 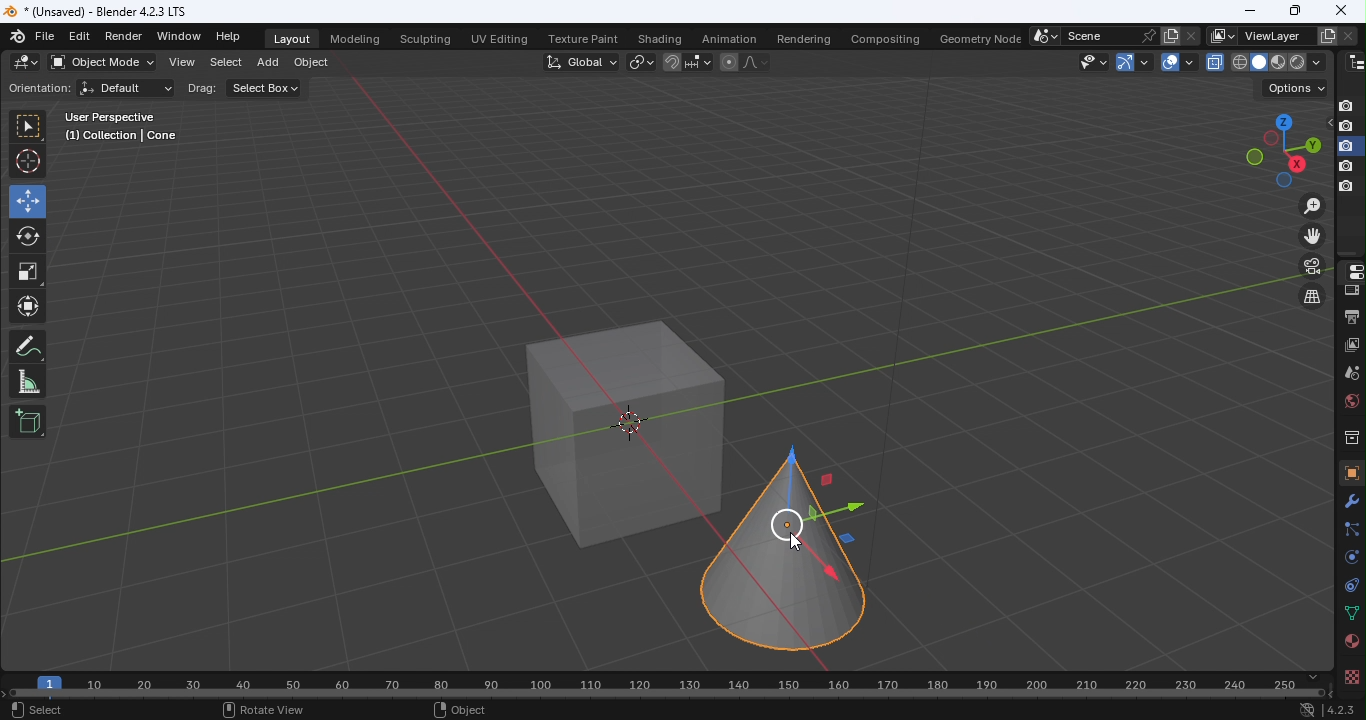 What do you see at coordinates (29, 162) in the screenshot?
I see `Cursor` at bounding box center [29, 162].